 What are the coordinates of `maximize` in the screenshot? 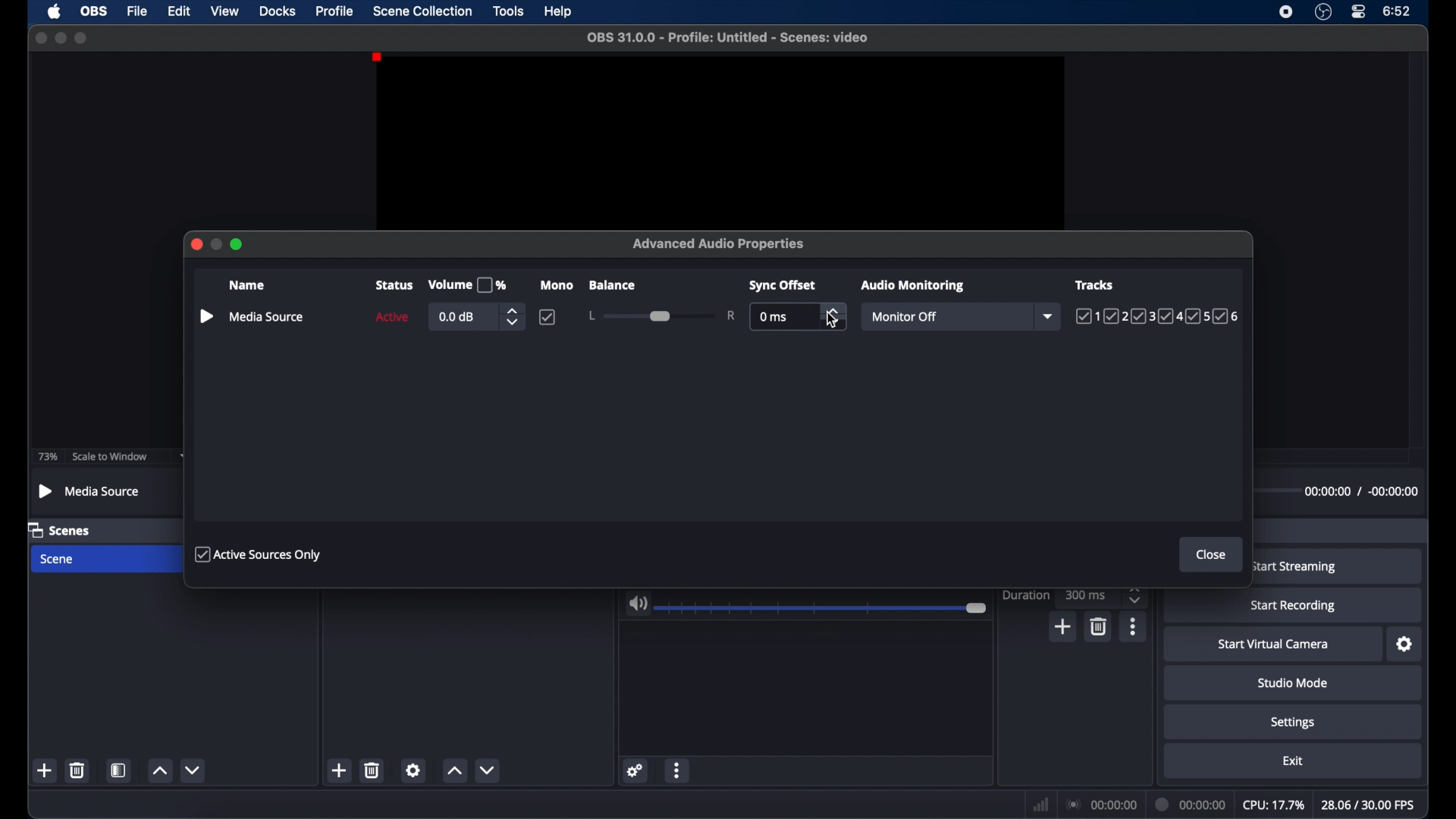 It's located at (237, 245).